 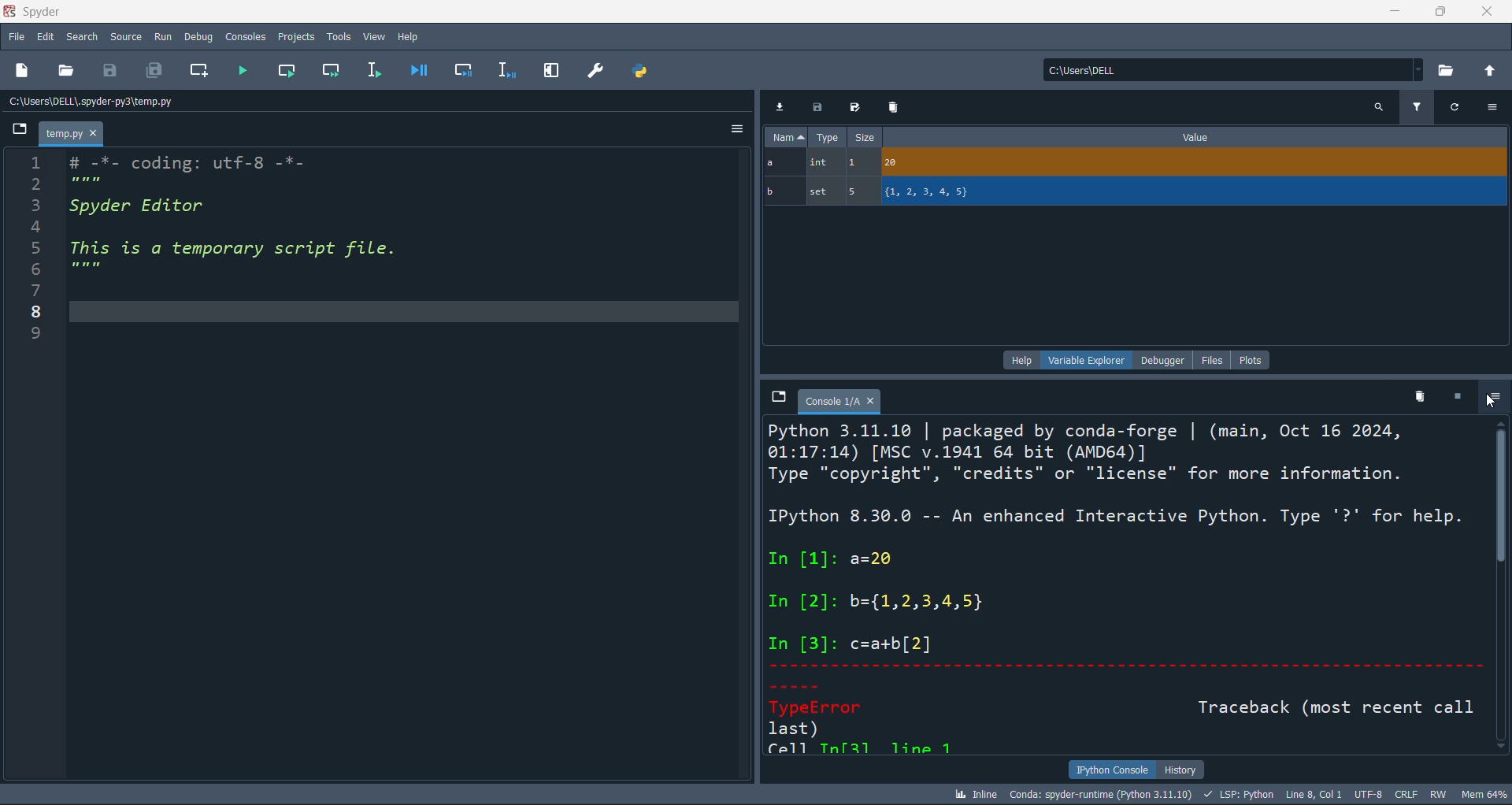 I want to click on INLINE, so click(x=973, y=793).